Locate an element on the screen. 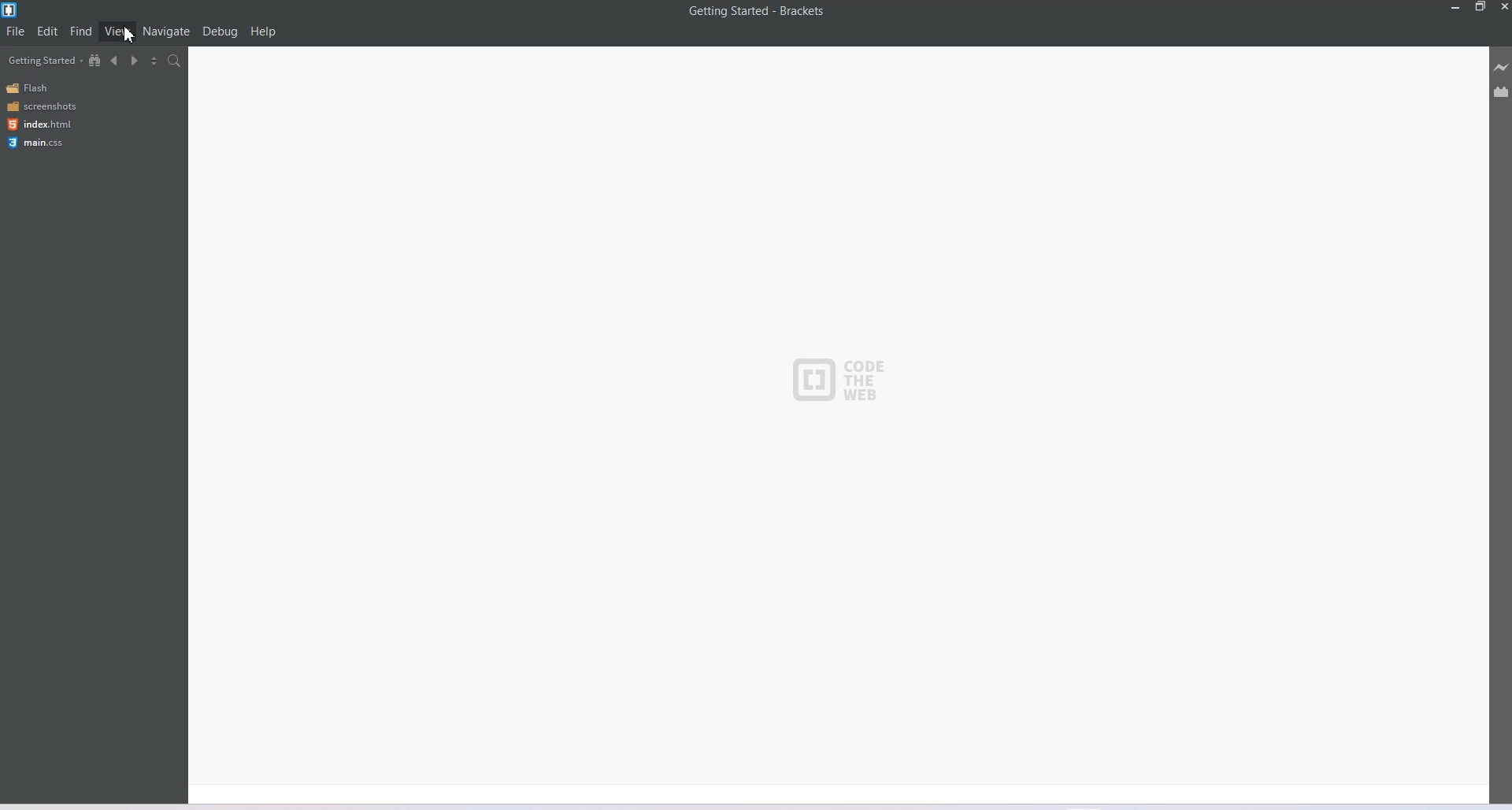 The width and height of the screenshot is (1512, 810). Find is located at coordinates (82, 30).